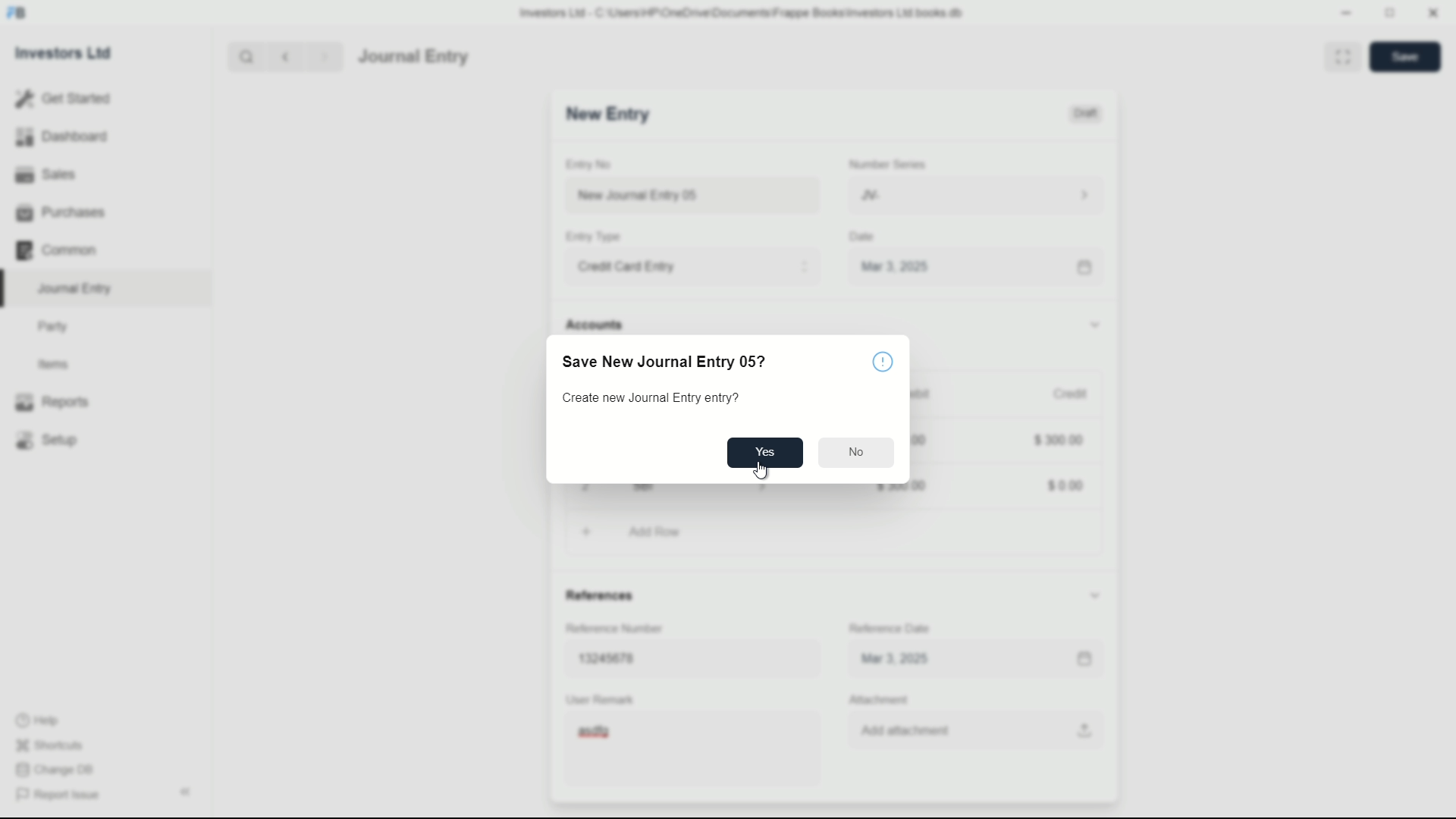 The image size is (1456, 819). I want to click on Save New Journal Entry 05?, so click(668, 362).